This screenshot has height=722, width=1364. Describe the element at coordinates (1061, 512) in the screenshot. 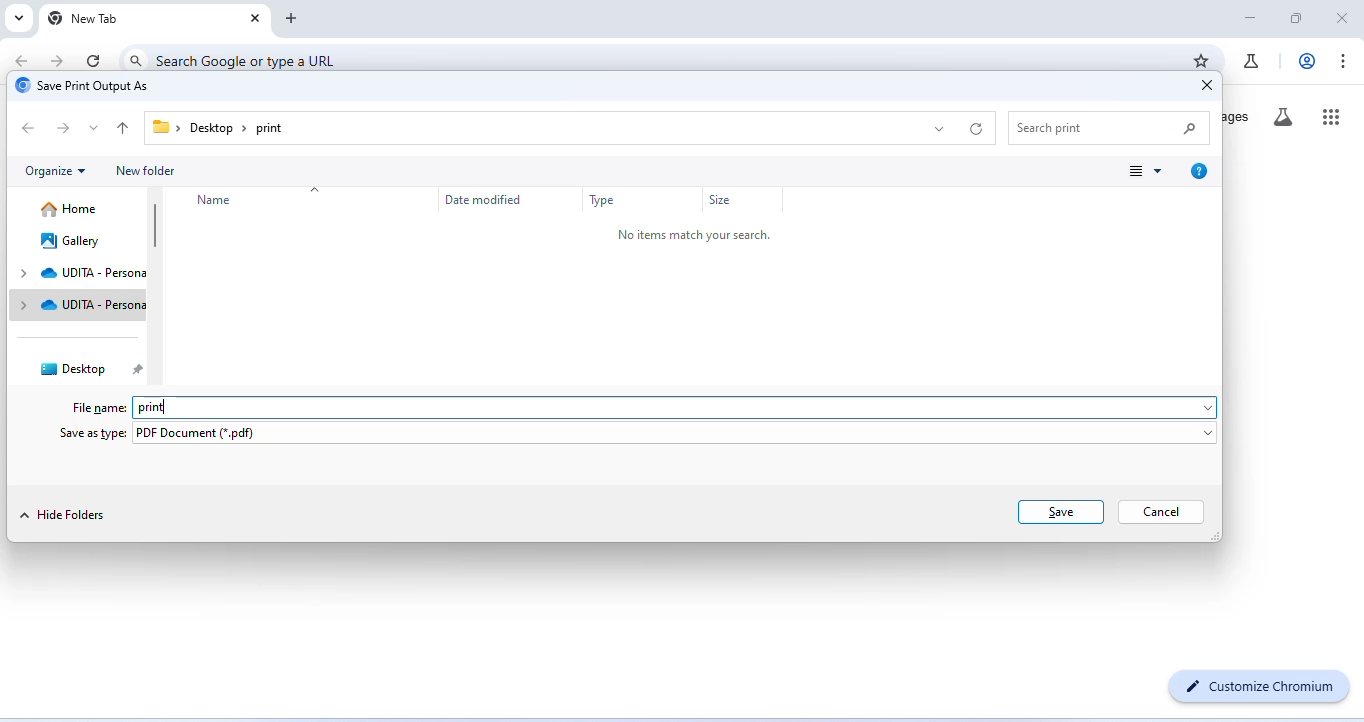

I see `save` at that location.